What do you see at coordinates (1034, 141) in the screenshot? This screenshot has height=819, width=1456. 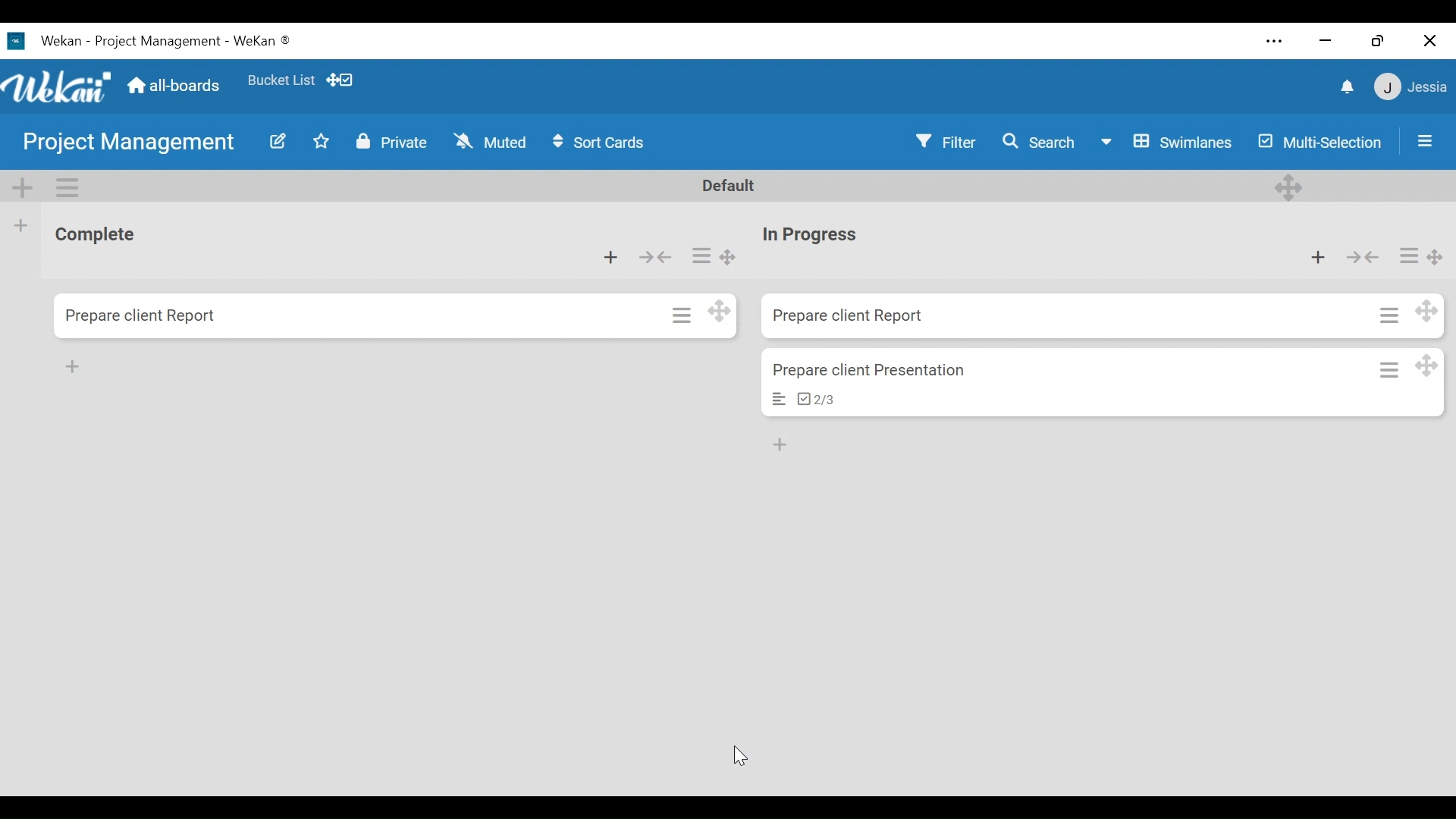 I see `Search` at bounding box center [1034, 141].